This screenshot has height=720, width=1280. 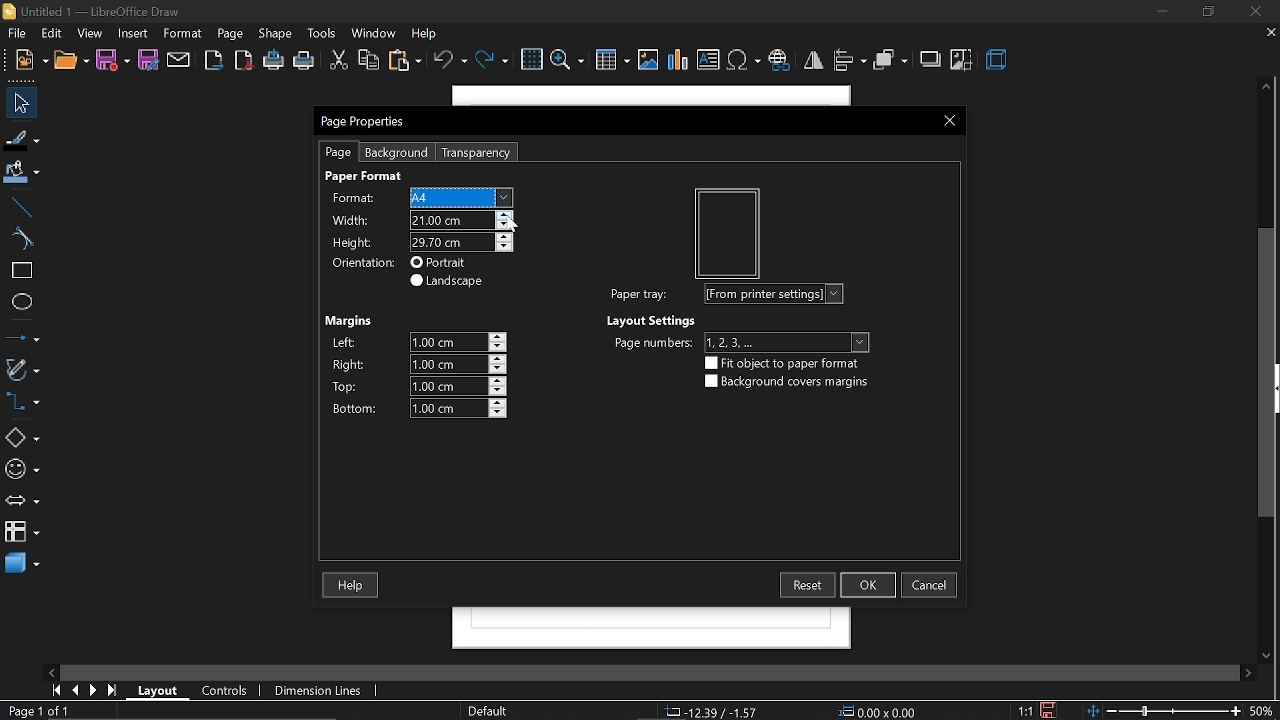 I want to click on Layout settings, so click(x=650, y=321).